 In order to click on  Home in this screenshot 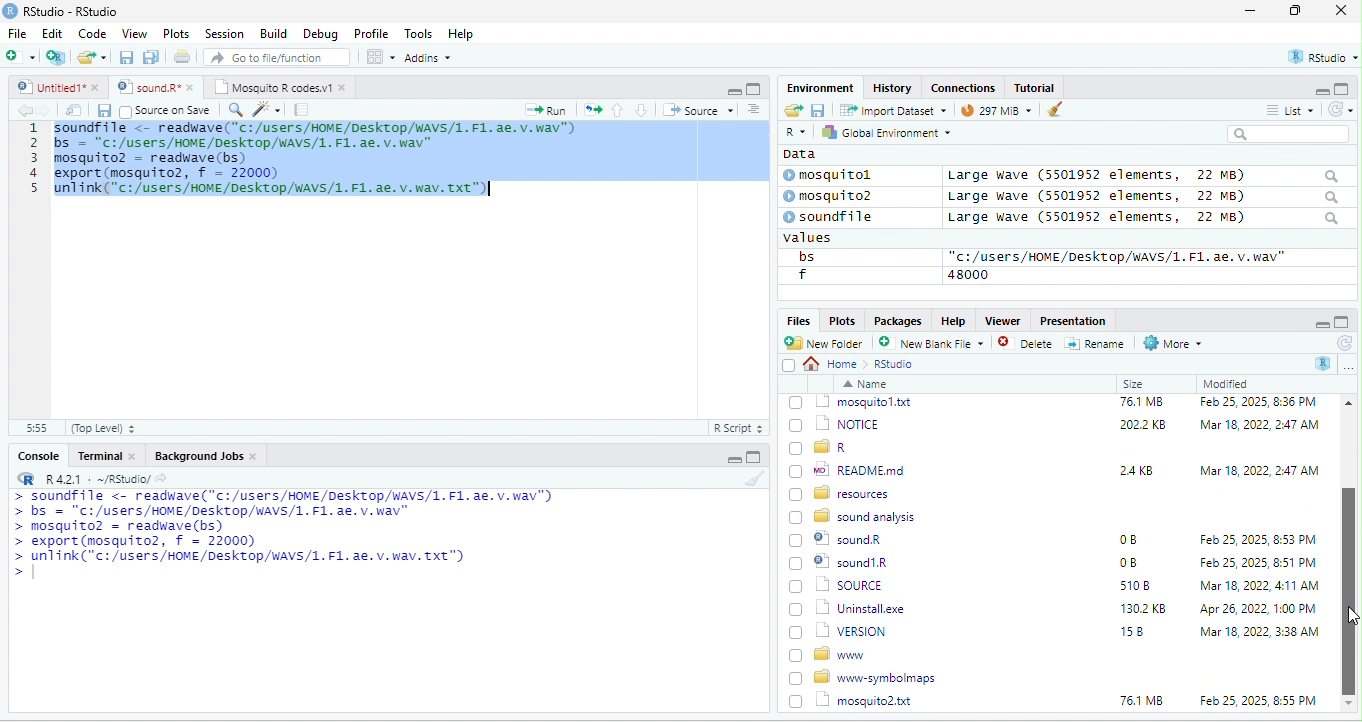, I will do `click(836, 363)`.